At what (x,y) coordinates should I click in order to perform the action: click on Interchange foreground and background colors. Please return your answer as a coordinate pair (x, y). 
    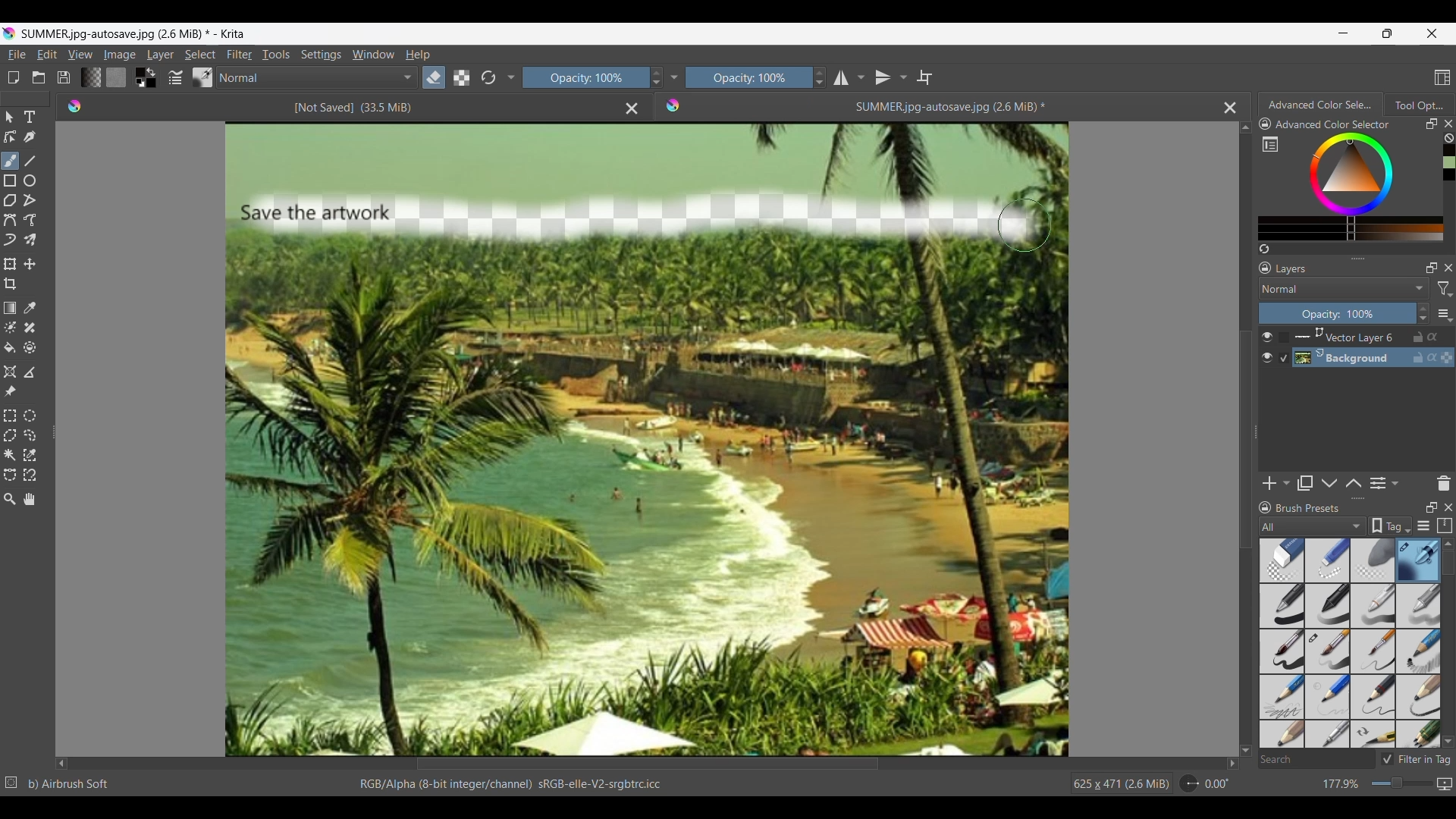
    Looking at the image, I should click on (153, 72).